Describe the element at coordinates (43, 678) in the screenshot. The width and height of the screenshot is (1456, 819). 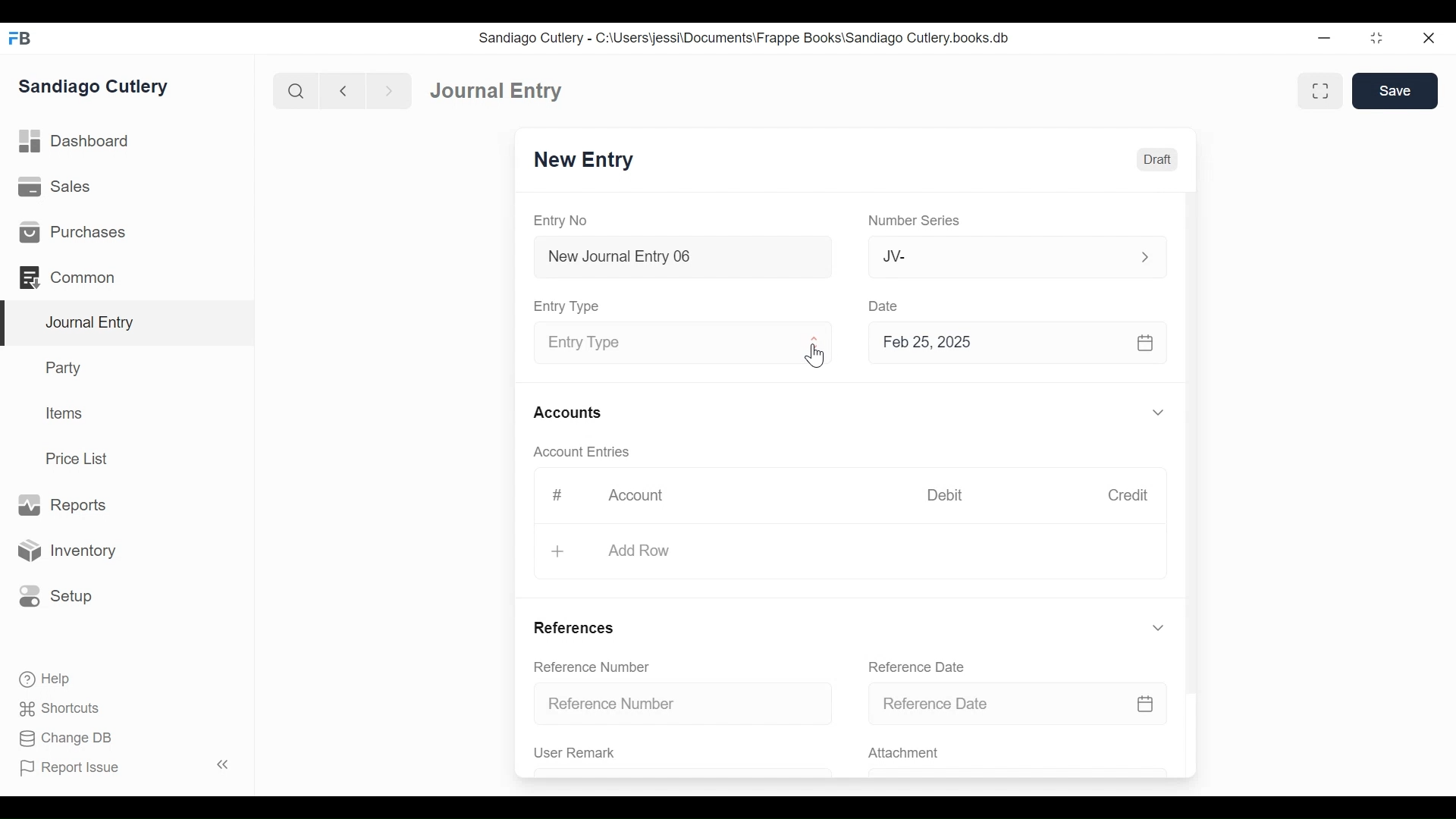
I see `Help` at that location.